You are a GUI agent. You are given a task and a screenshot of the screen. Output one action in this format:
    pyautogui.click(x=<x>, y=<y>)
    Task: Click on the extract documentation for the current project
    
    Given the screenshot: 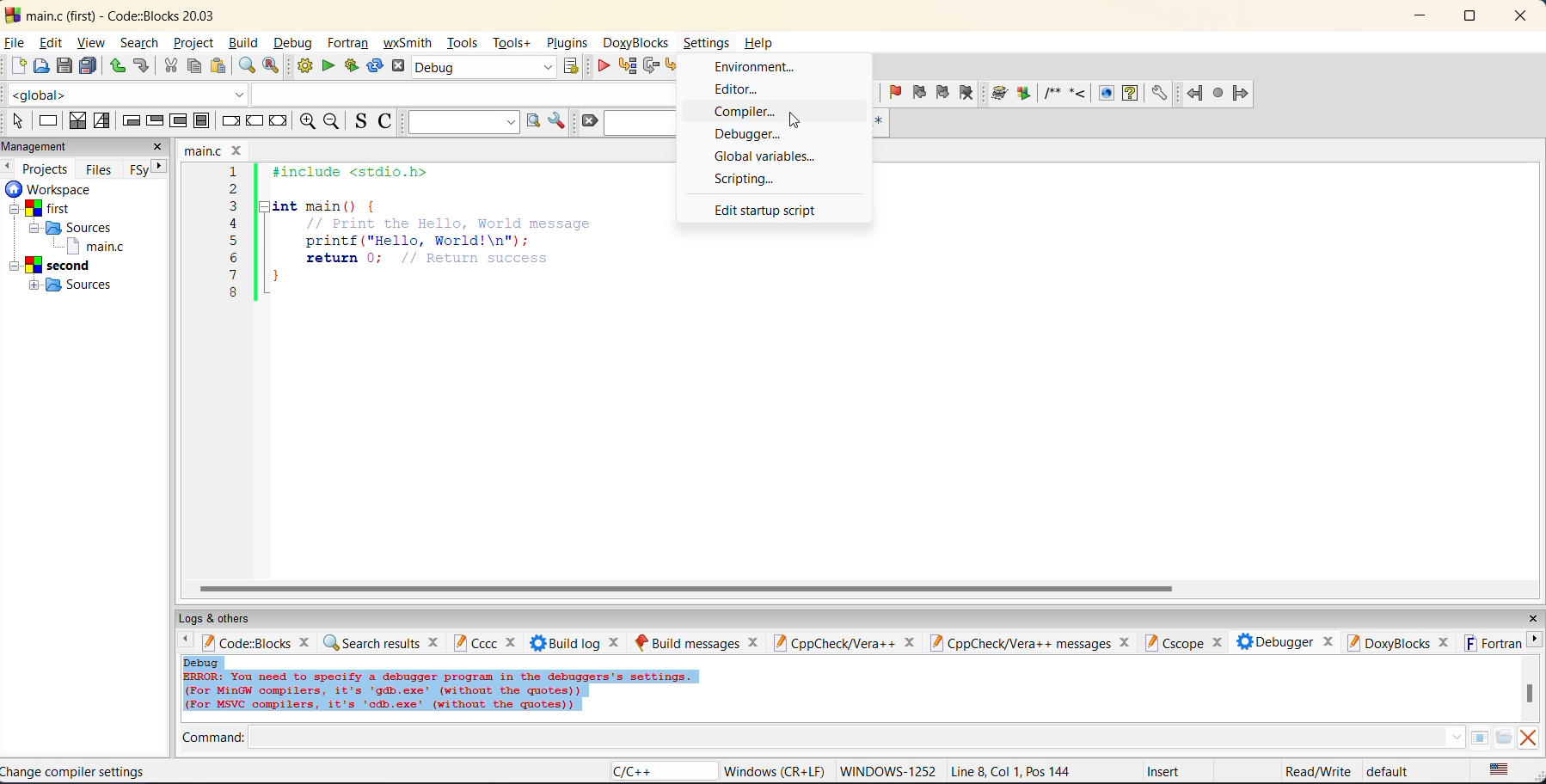 What is the action you would take?
    pyautogui.click(x=1023, y=97)
    